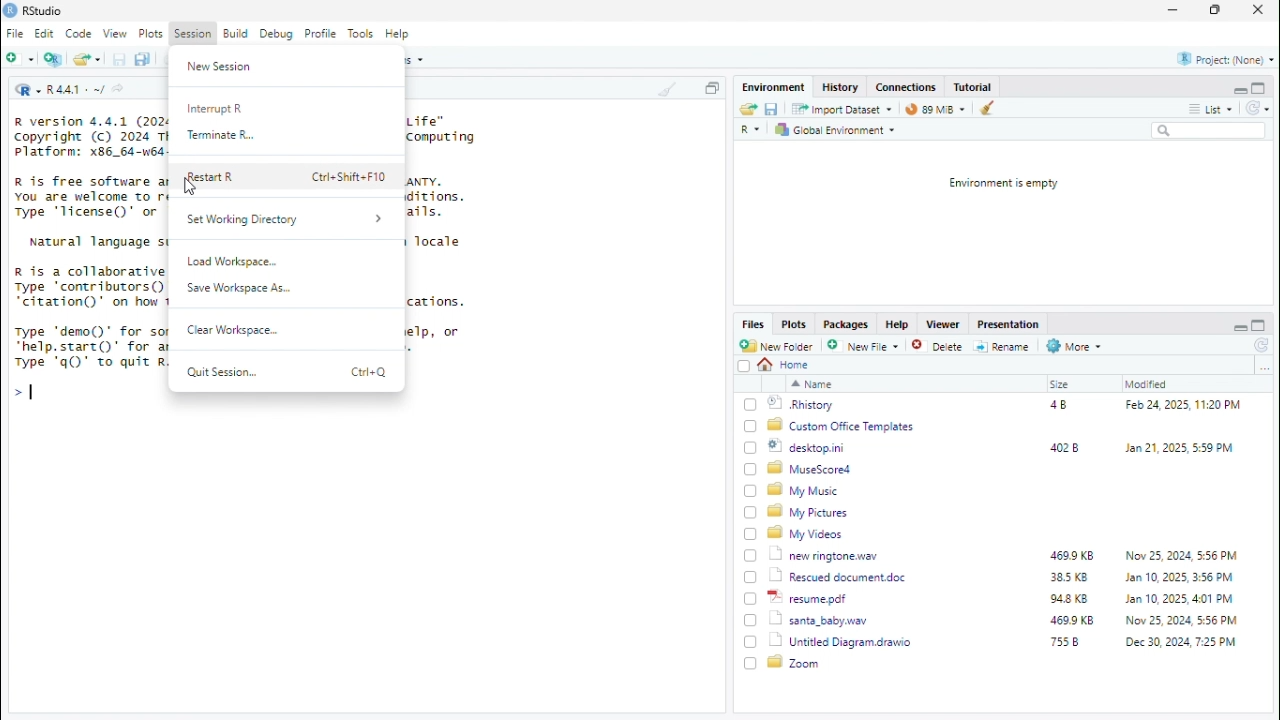  I want to click on Checkbox, so click(751, 469).